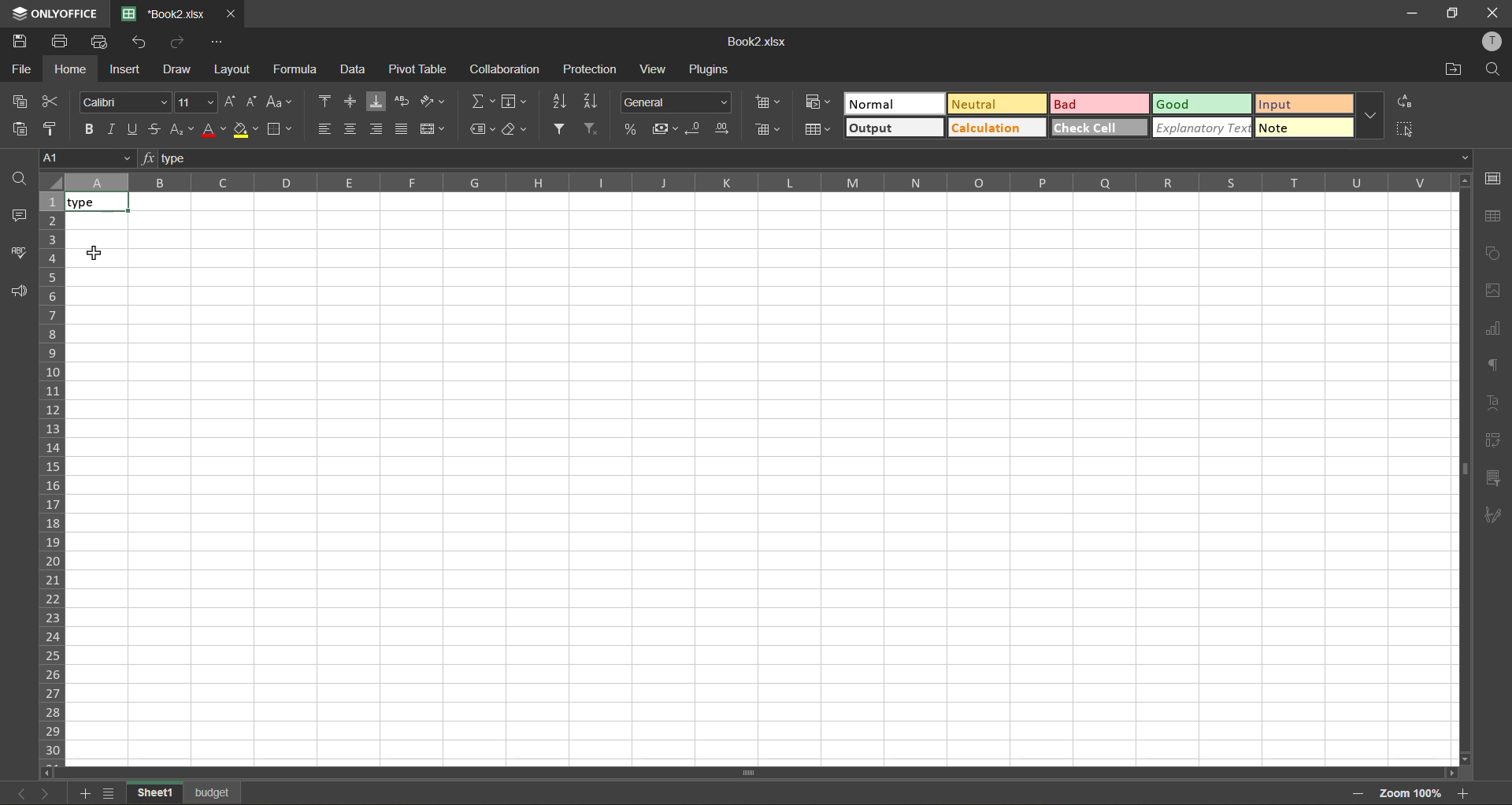 The image size is (1512, 805). What do you see at coordinates (246, 129) in the screenshot?
I see `fill color` at bounding box center [246, 129].